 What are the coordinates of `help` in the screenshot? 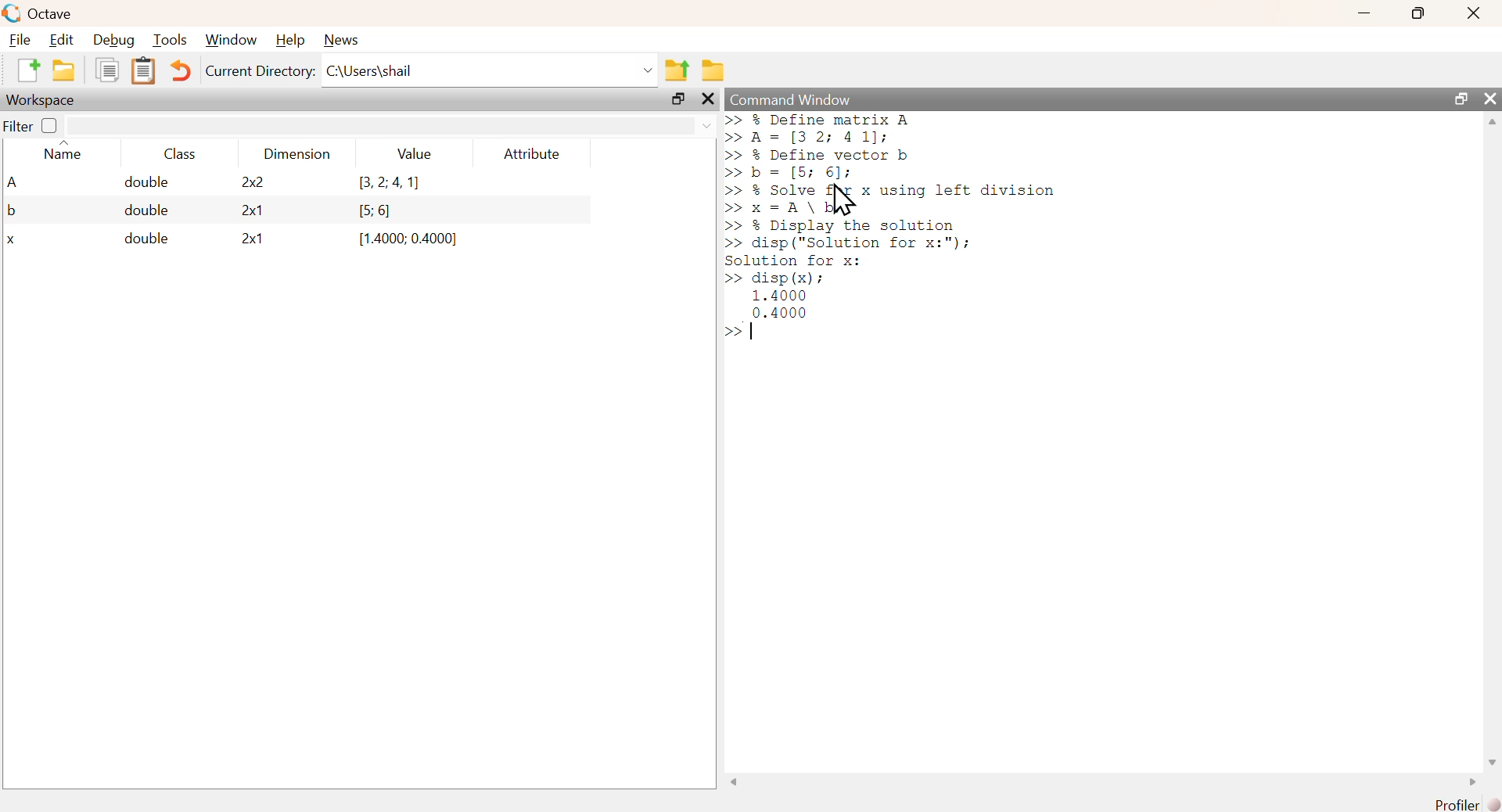 It's located at (289, 40).